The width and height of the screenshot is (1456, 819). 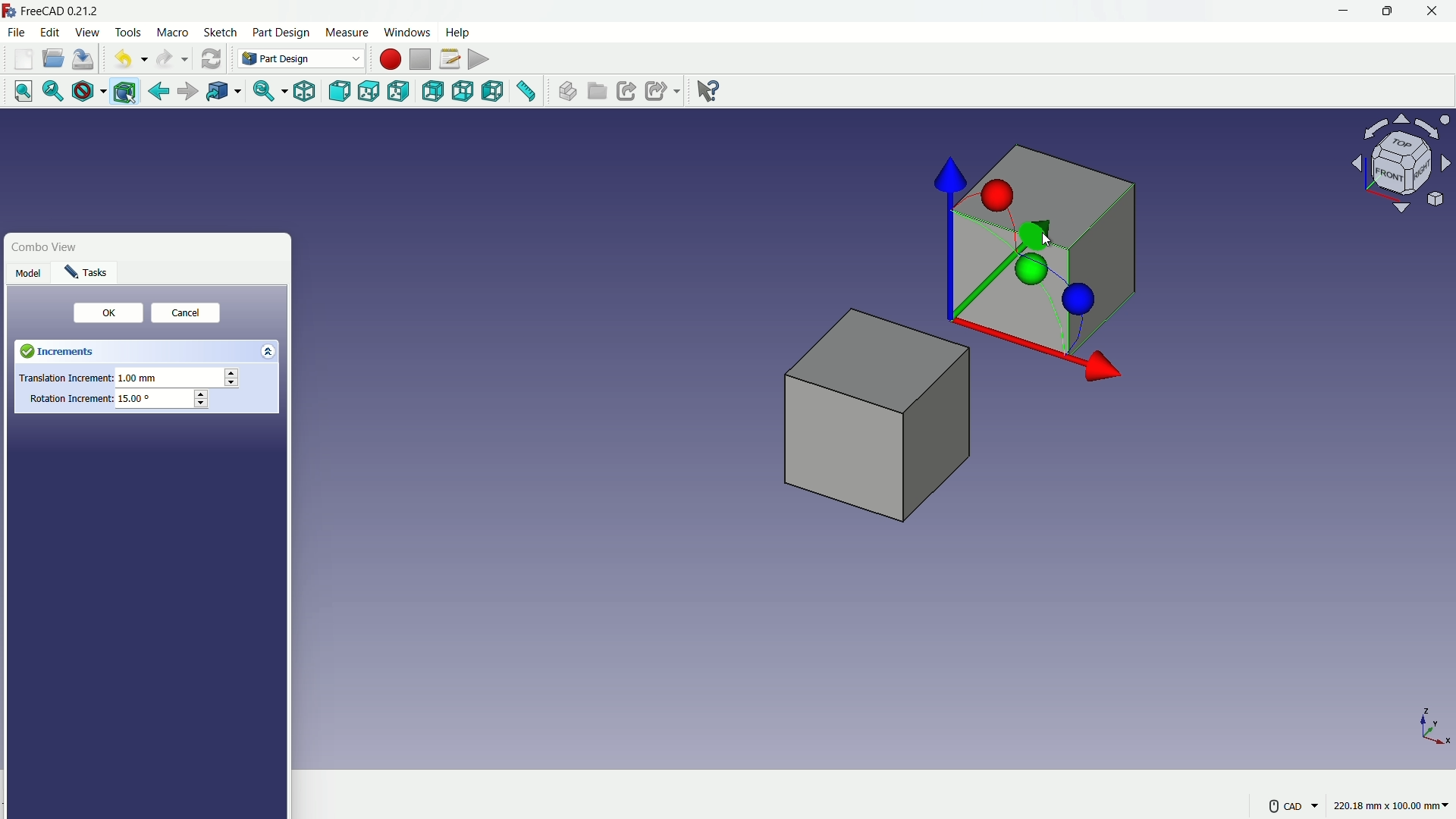 What do you see at coordinates (49, 92) in the screenshot?
I see `fit selection` at bounding box center [49, 92].